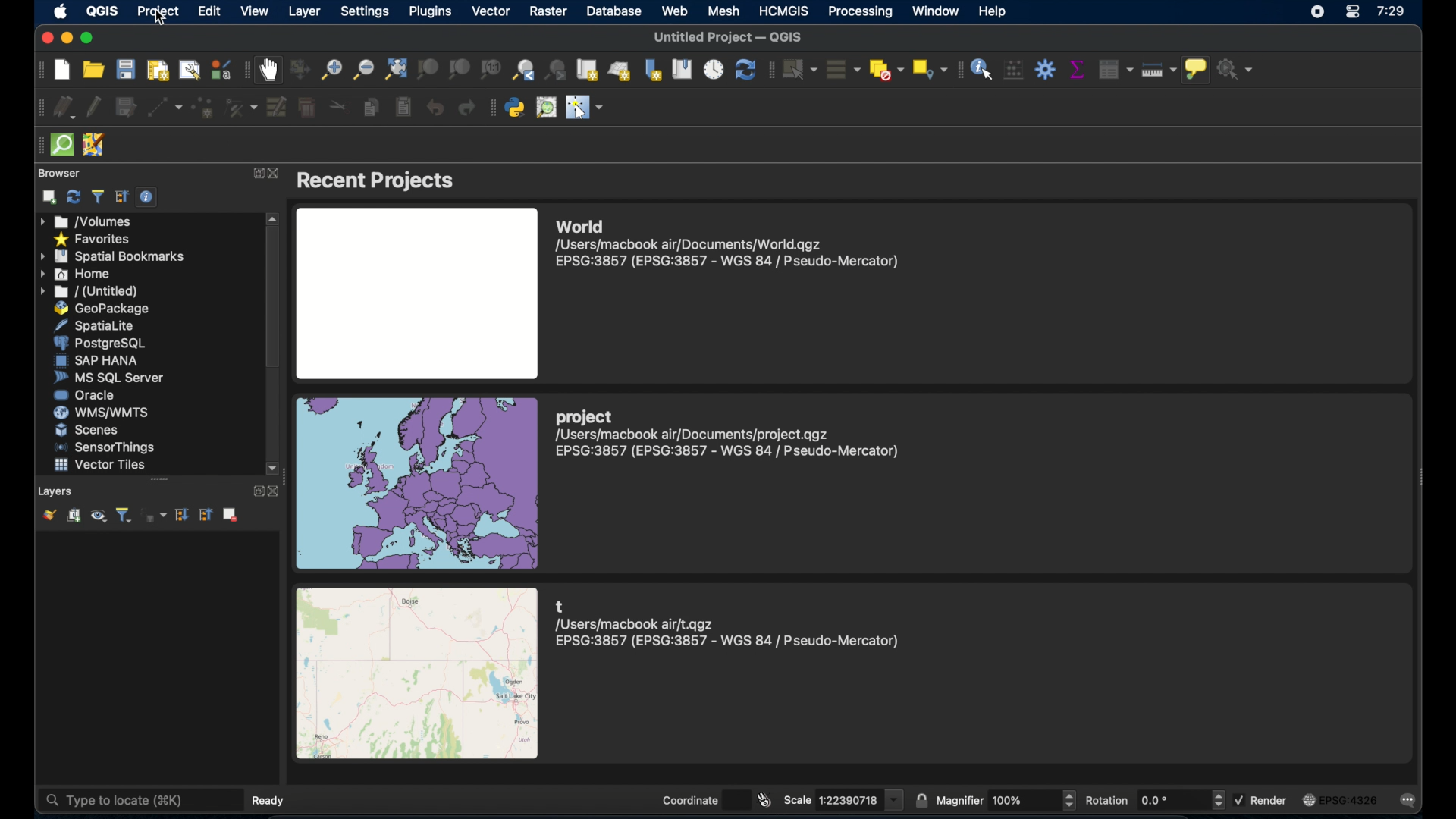 The image size is (1456, 819). What do you see at coordinates (206, 517) in the screenshot?
I see `collapse all` at bounding box center [206, 517].